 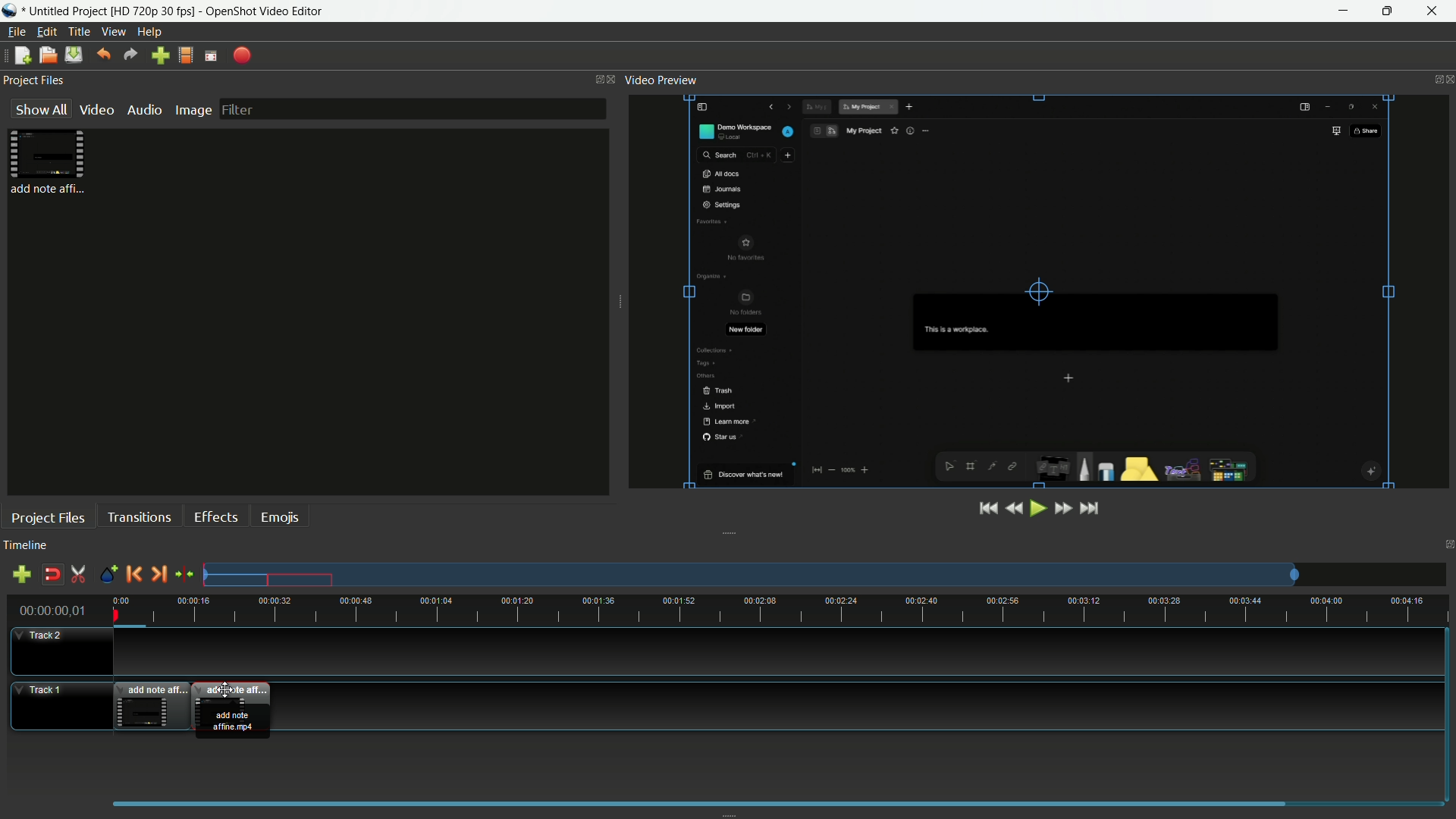 I want to click on video in track-1, so click(x=152, y=704).